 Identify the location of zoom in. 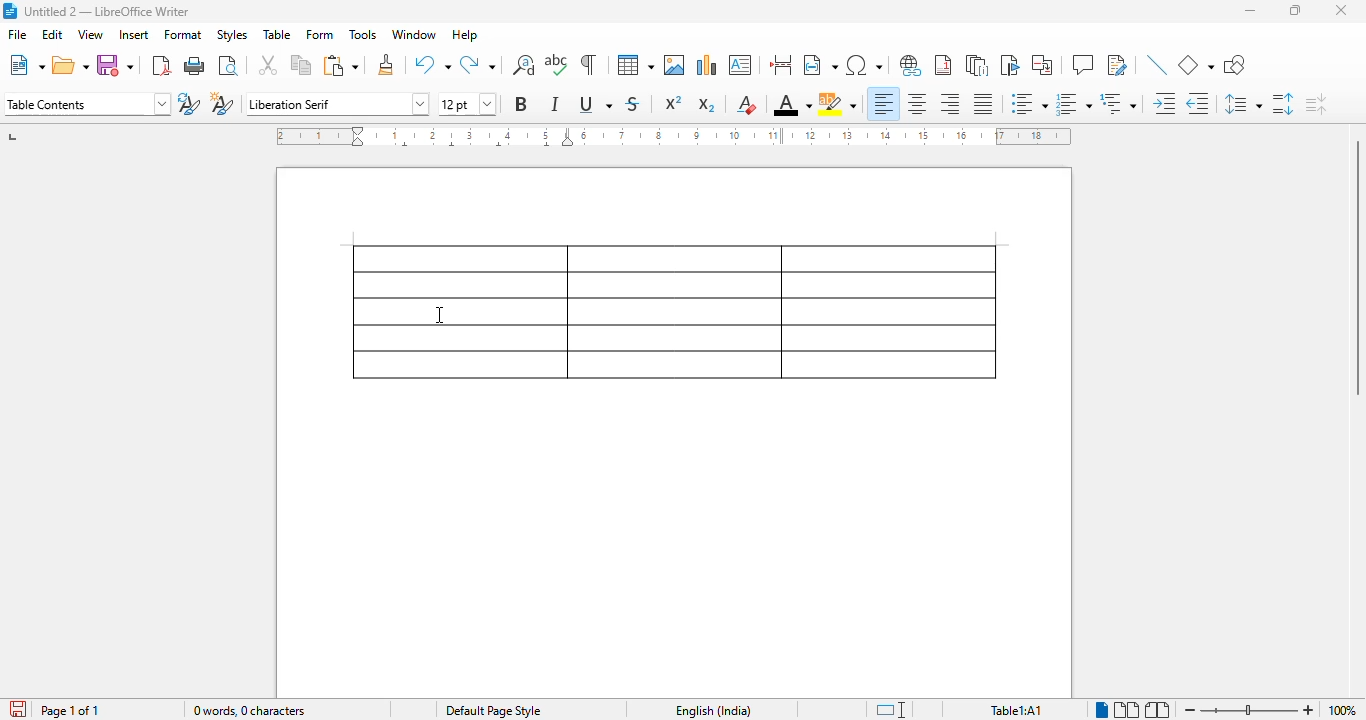
(1309, 710).